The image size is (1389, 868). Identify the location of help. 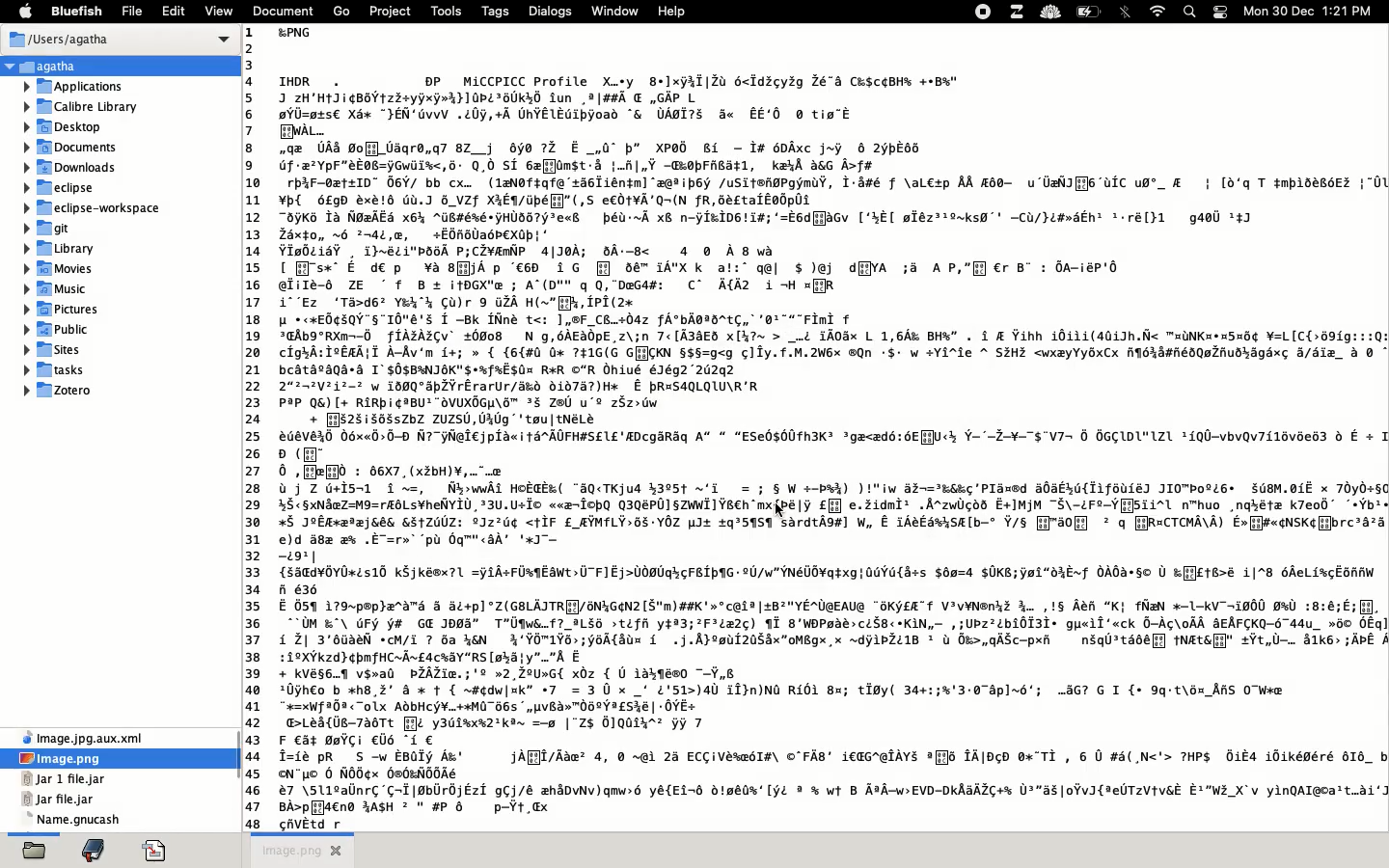
(674, 12).